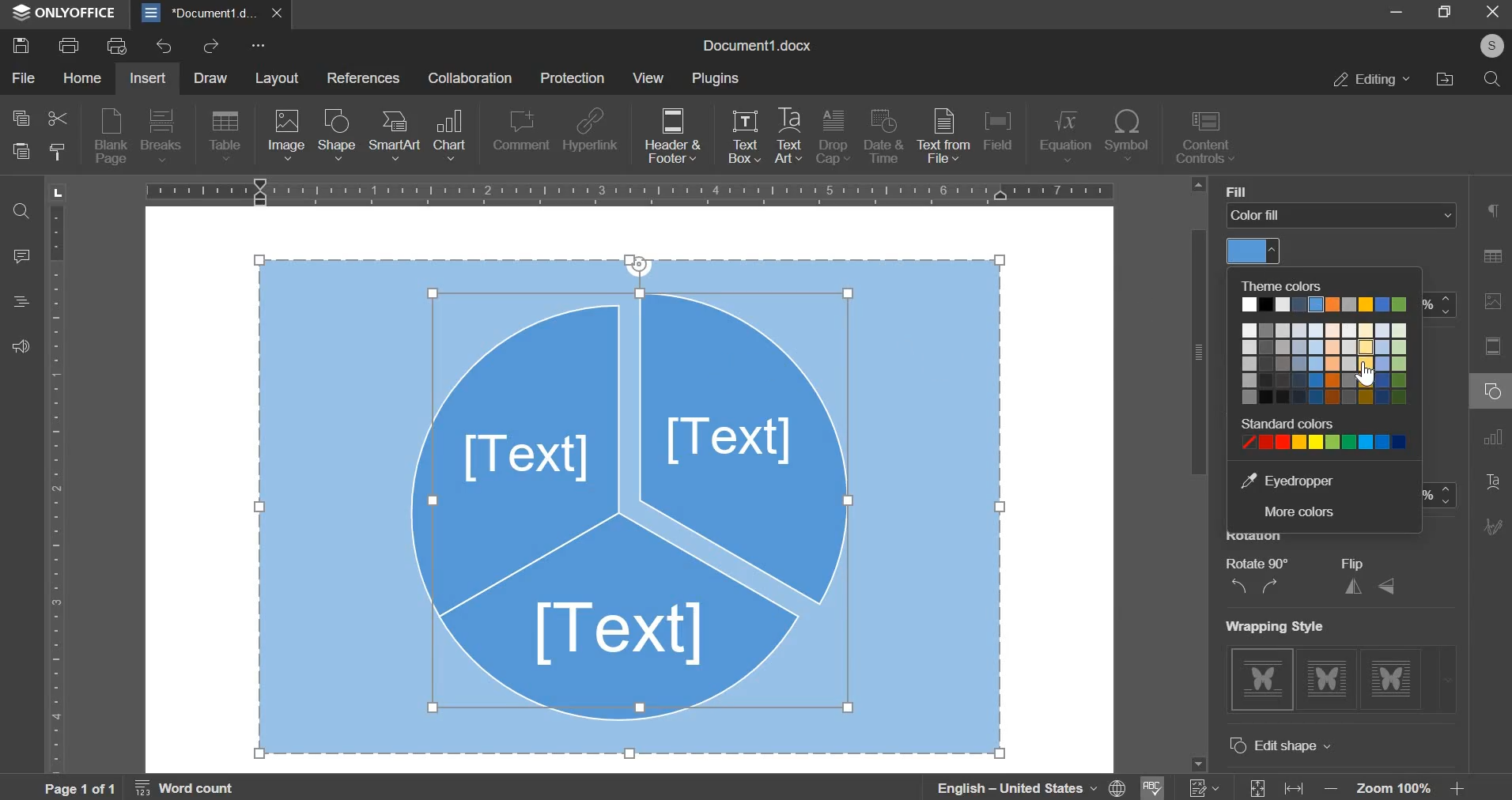 Image resolution: width=1512 pixels, height=800 pixels. What do you see at coordinates (1232, 190) in the screenshot?
I see `` at bounding box center [1232, 190].